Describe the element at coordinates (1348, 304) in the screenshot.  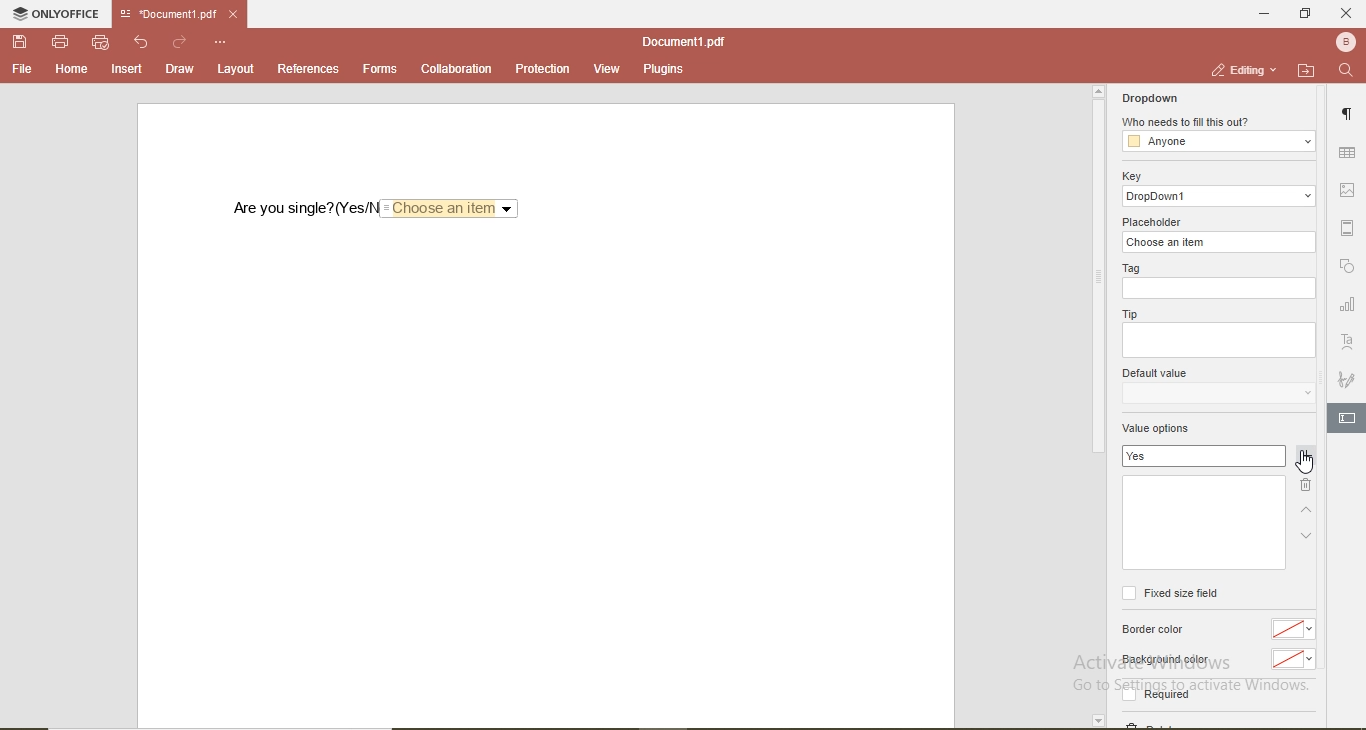
I see `chart` at that location.